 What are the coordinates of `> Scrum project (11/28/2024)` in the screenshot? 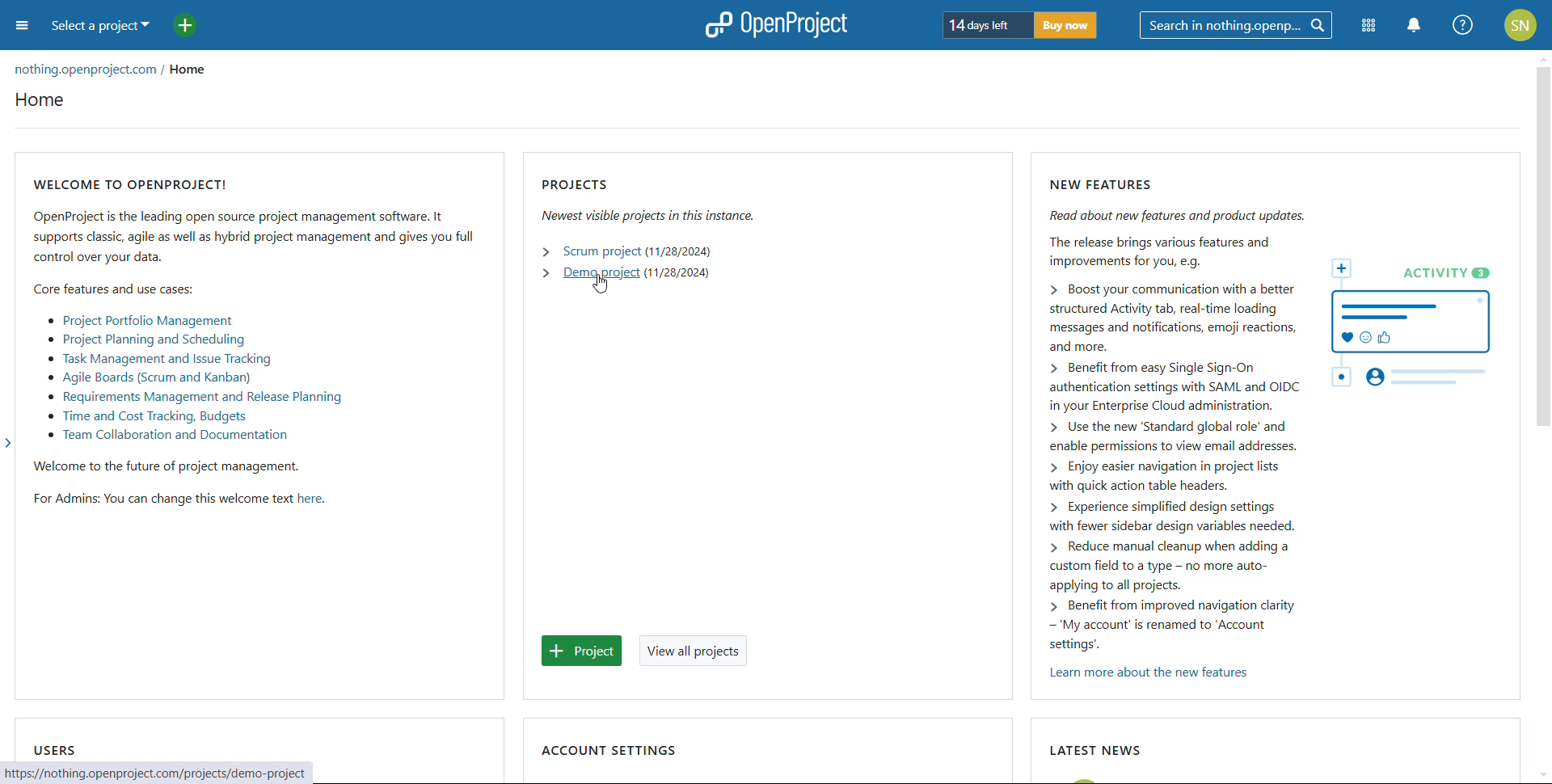 It's located at (626, 251).